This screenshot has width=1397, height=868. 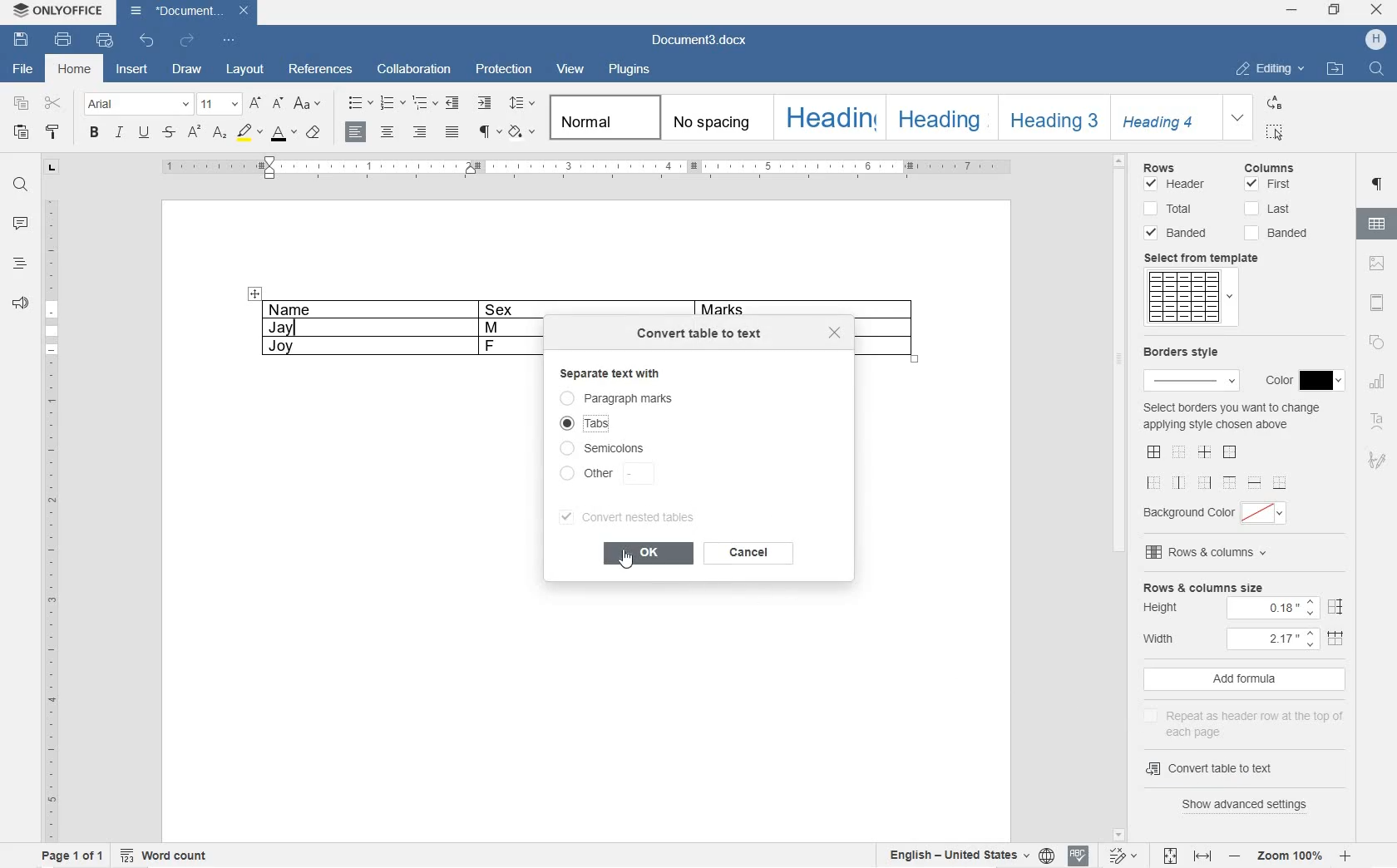 I want to click on COPY STYLE, so click(x=52, y=131).